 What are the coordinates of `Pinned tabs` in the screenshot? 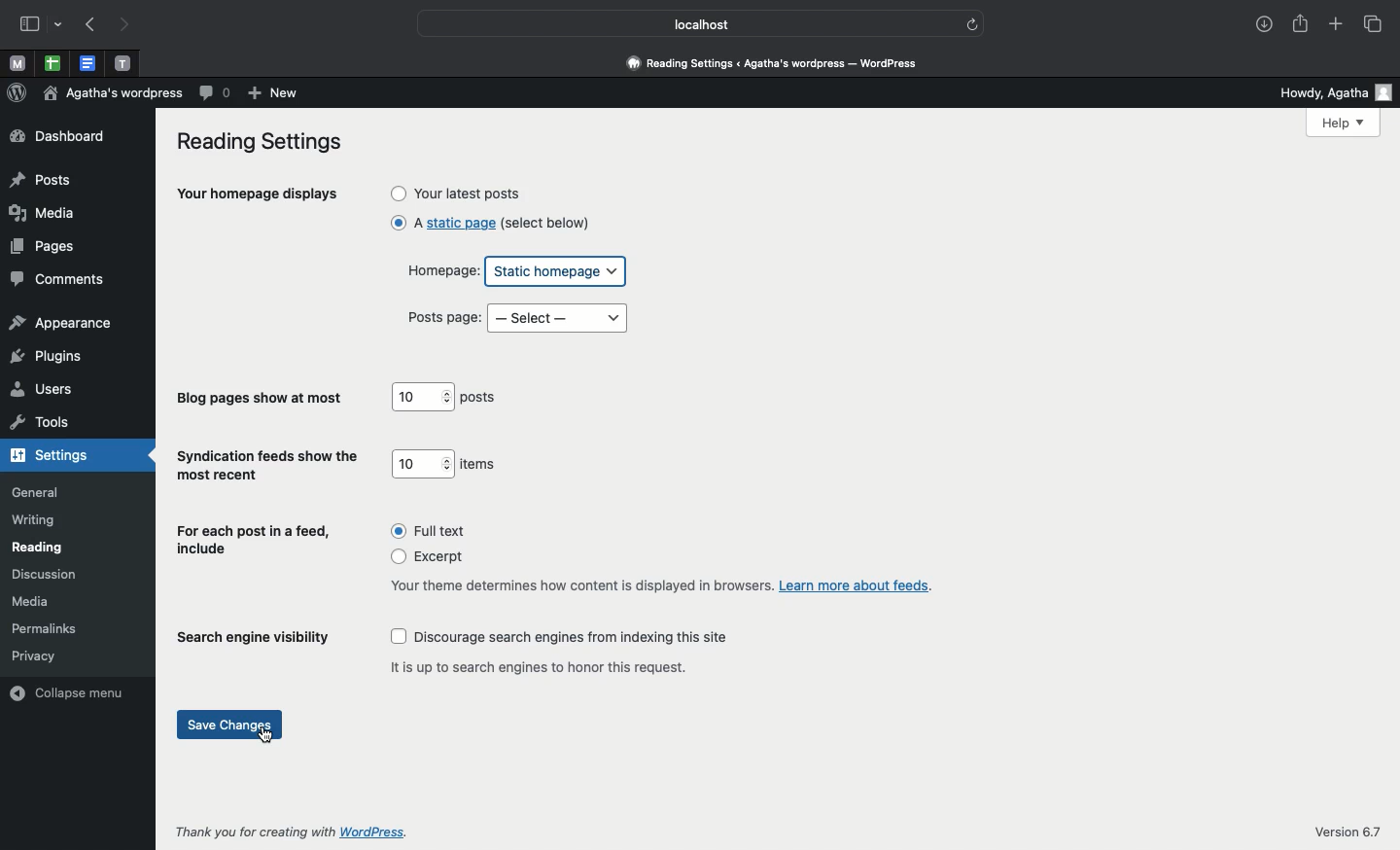 It's located at (14, 62).